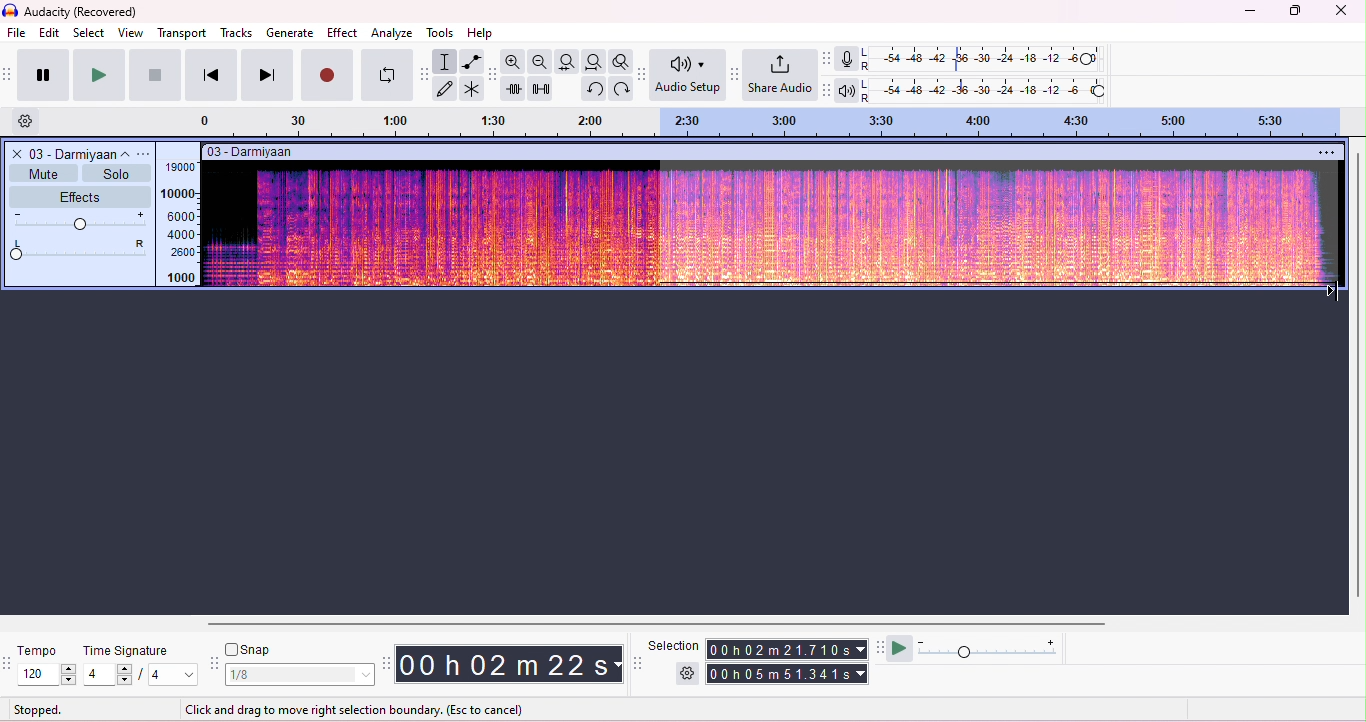  What do you see at coordinates (18, 34) in the screenshot?
I see `file` at bounding box center [18, 34].